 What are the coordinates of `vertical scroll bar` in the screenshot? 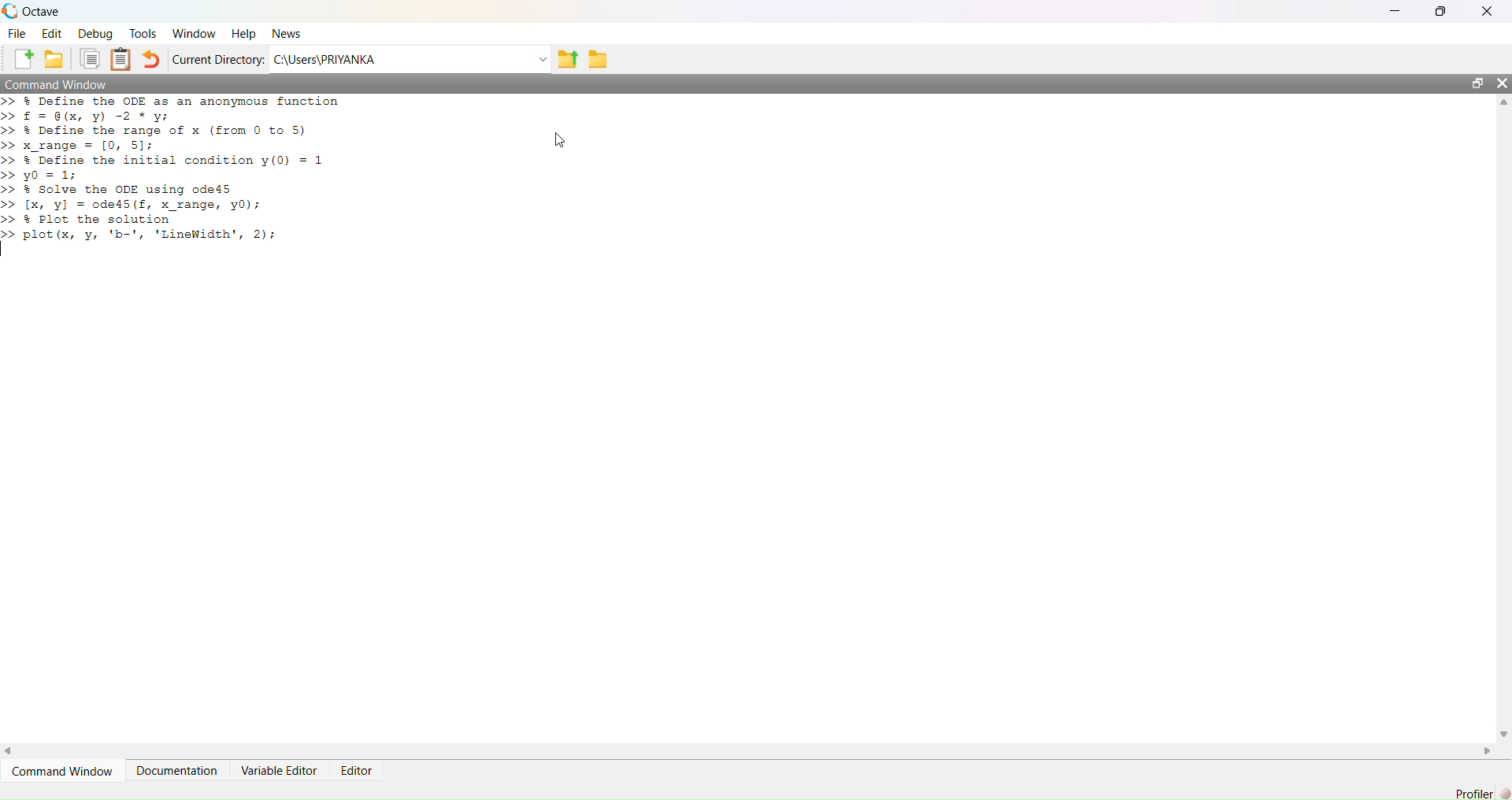 It's located at (1503, 417).